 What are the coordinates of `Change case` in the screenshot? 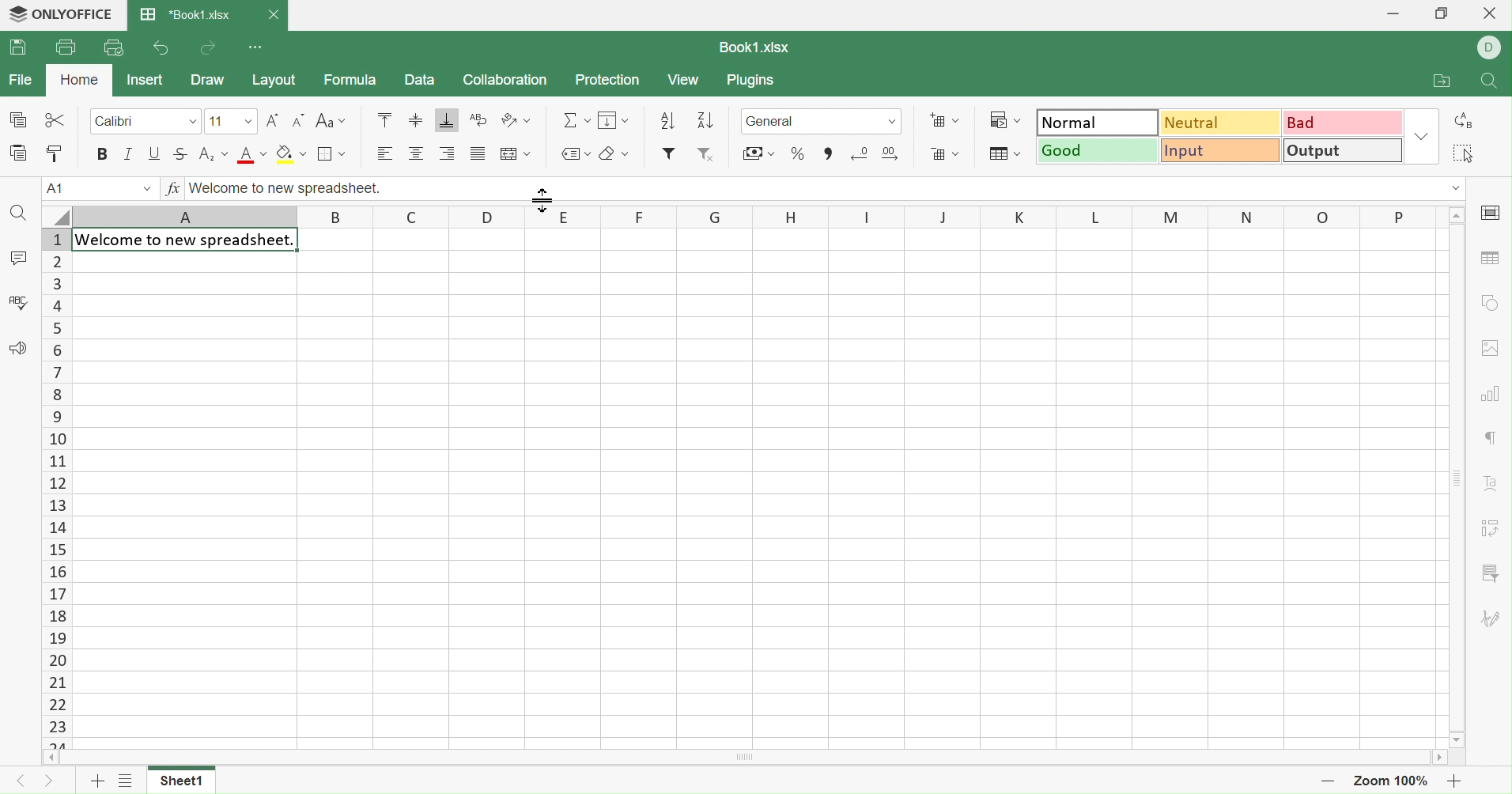 It's located at (332, 120).